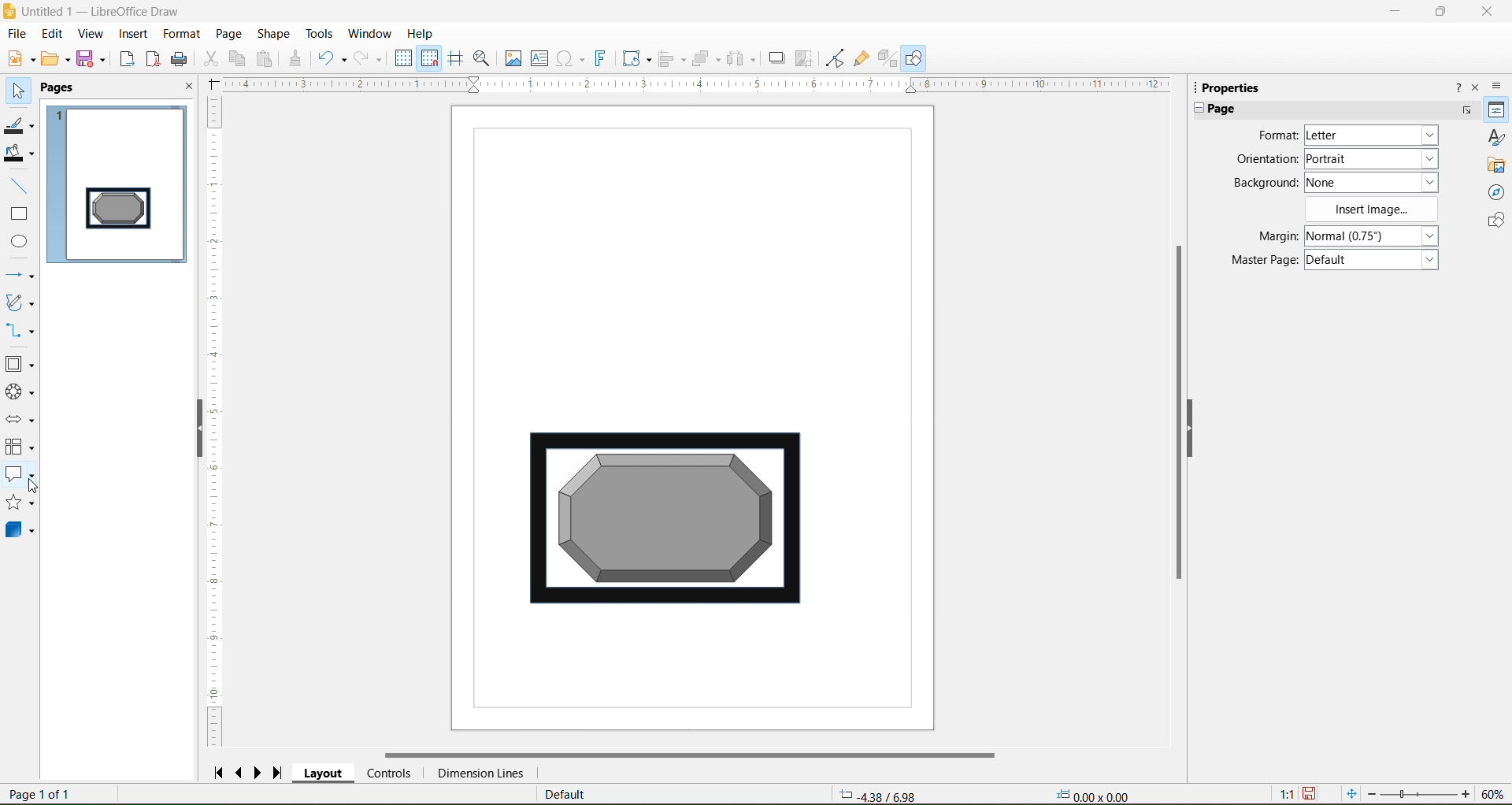 Image resolution: width=1512 pixels, height=805 pixels. Describe the element at coordinates (21, 365) in the screenshot. I see `Basic Shapes` at that location.